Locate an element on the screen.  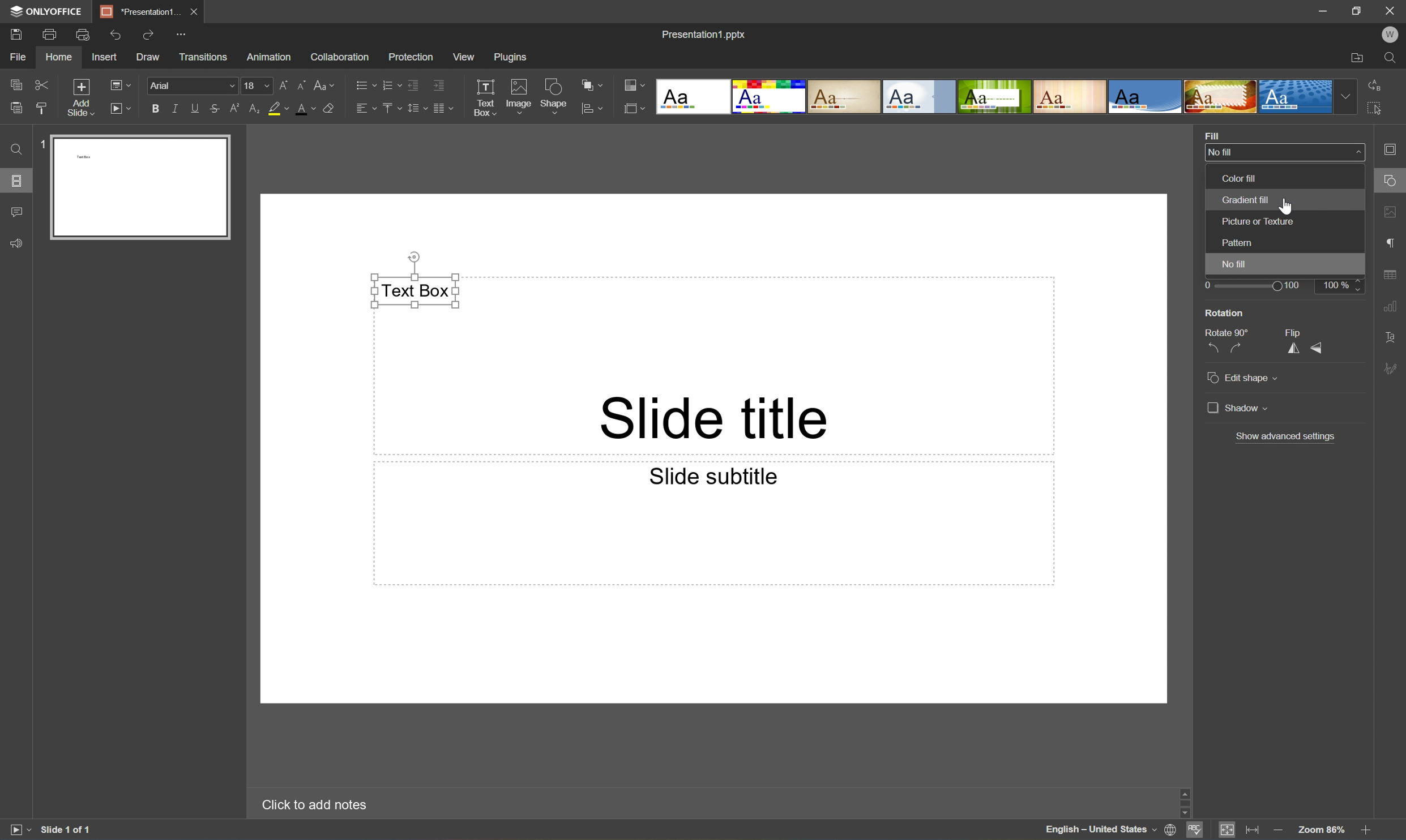
Font is located at coordinates (190, 87).